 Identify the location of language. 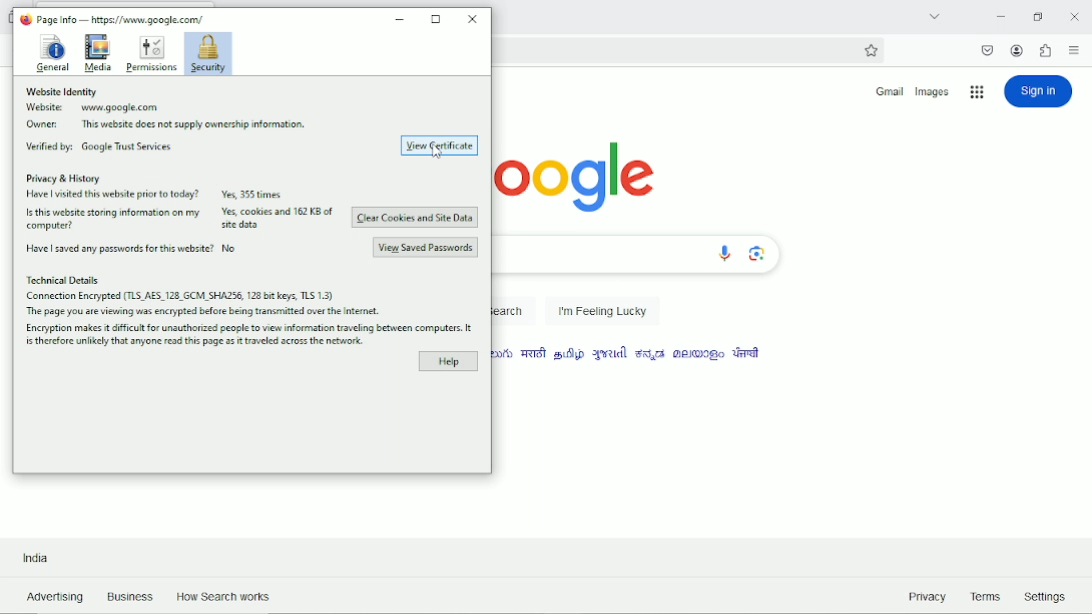
(743, 355).